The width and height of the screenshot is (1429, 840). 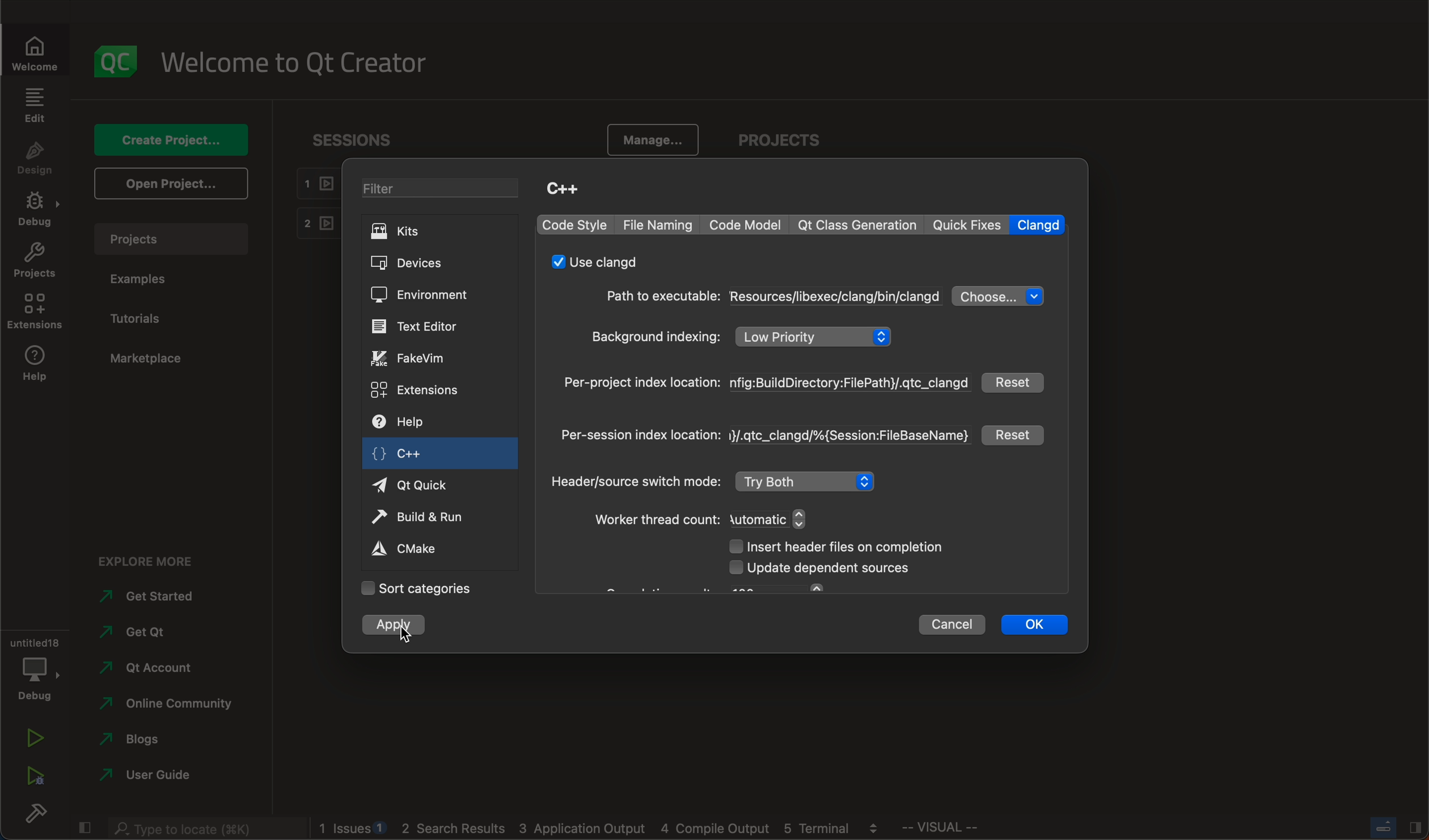 I want to click on searchbar, so click(x=203, y=829).